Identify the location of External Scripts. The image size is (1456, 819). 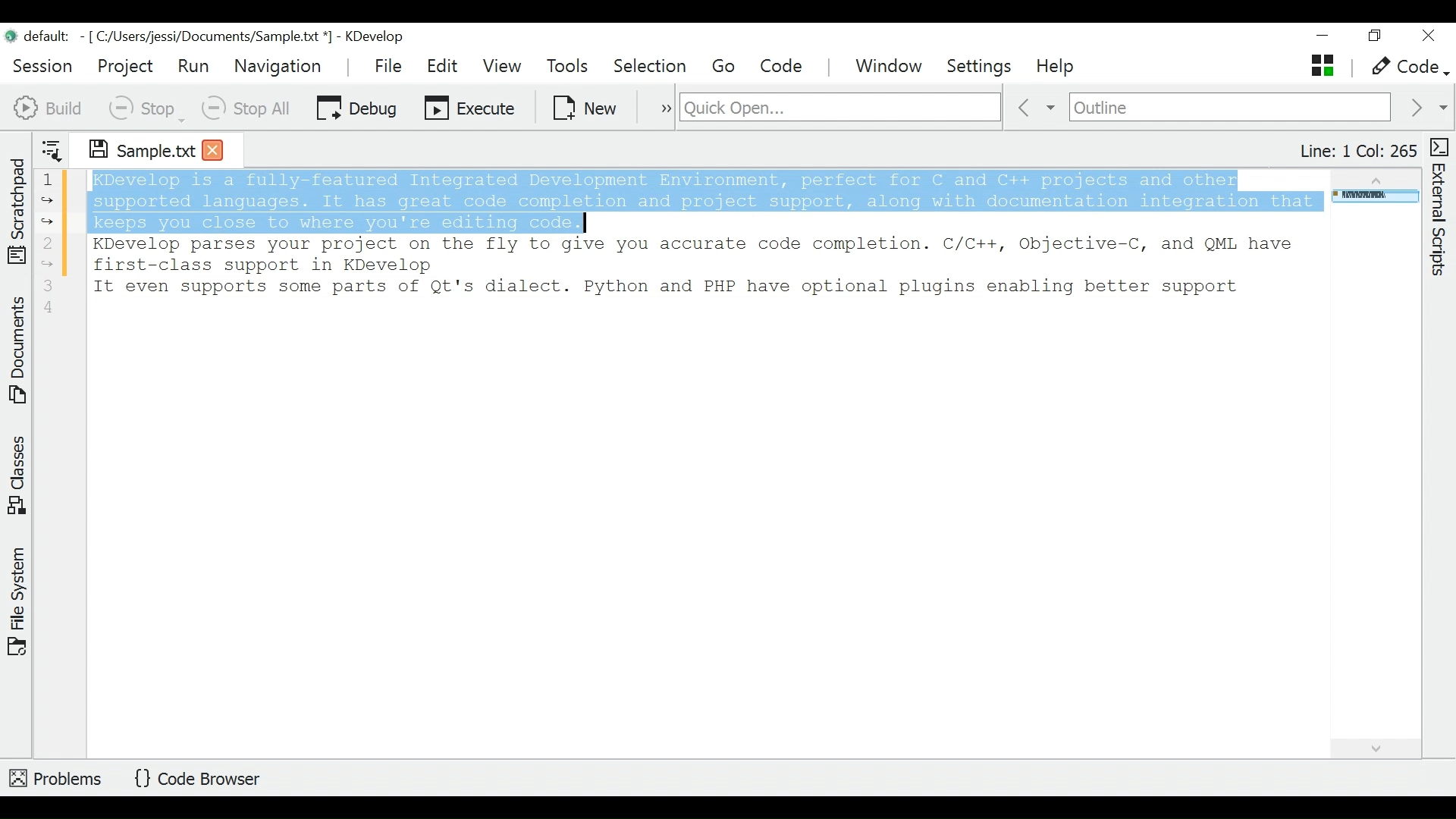
(1442, 208).